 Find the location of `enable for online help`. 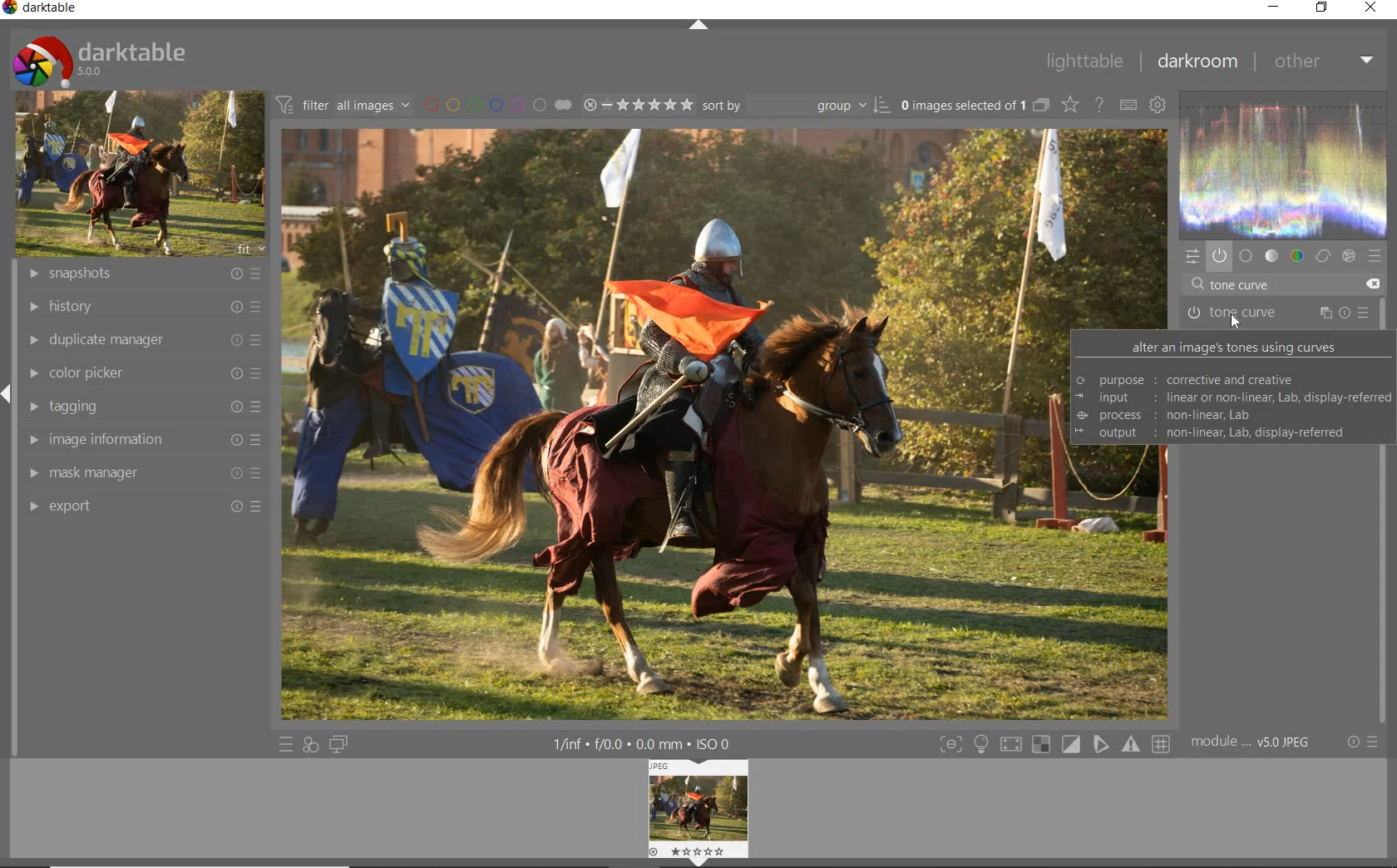

enable for online help is located at coordinates (1099, 107).